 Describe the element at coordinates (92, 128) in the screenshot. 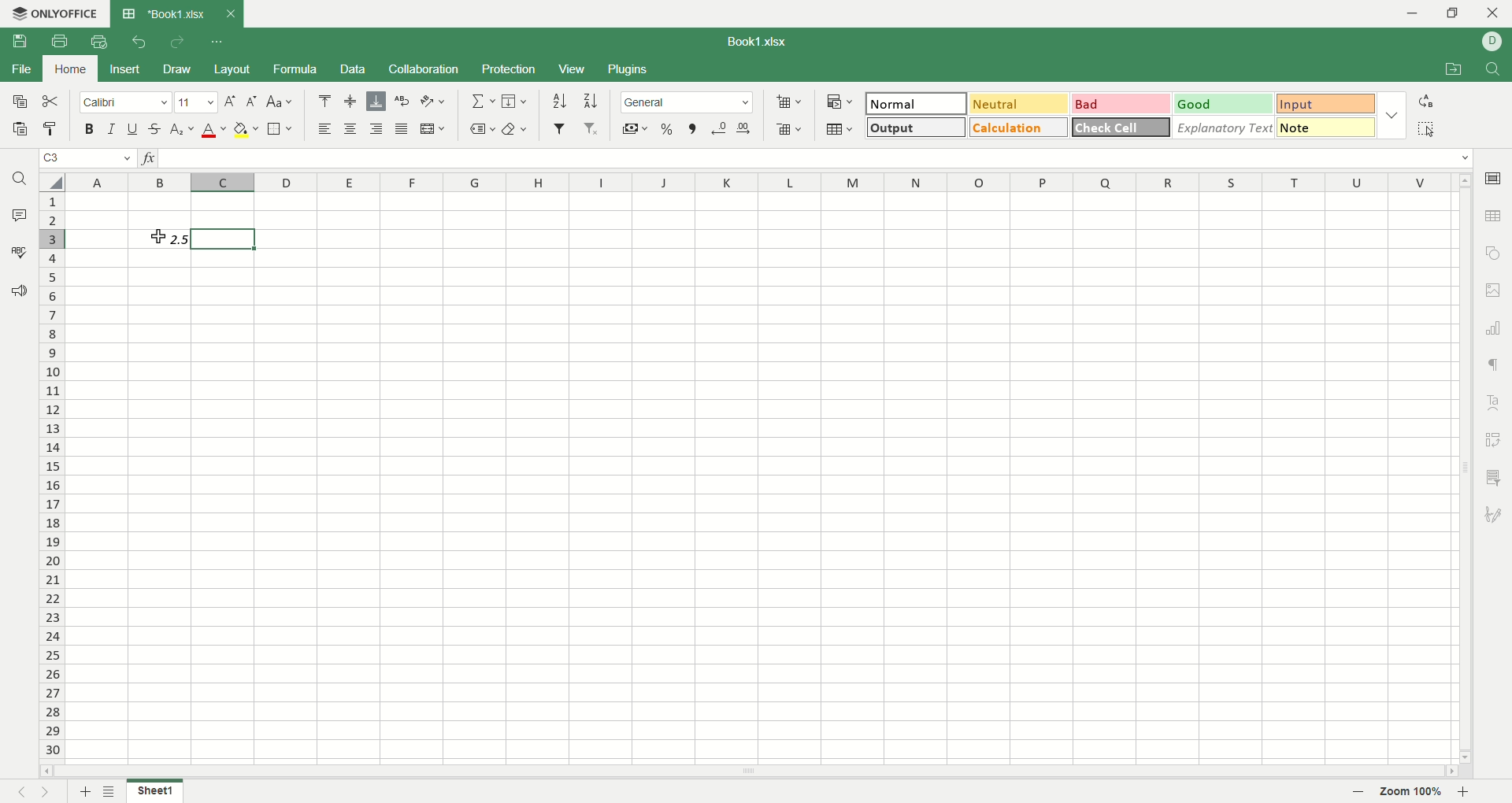

I see `bold` at that location.